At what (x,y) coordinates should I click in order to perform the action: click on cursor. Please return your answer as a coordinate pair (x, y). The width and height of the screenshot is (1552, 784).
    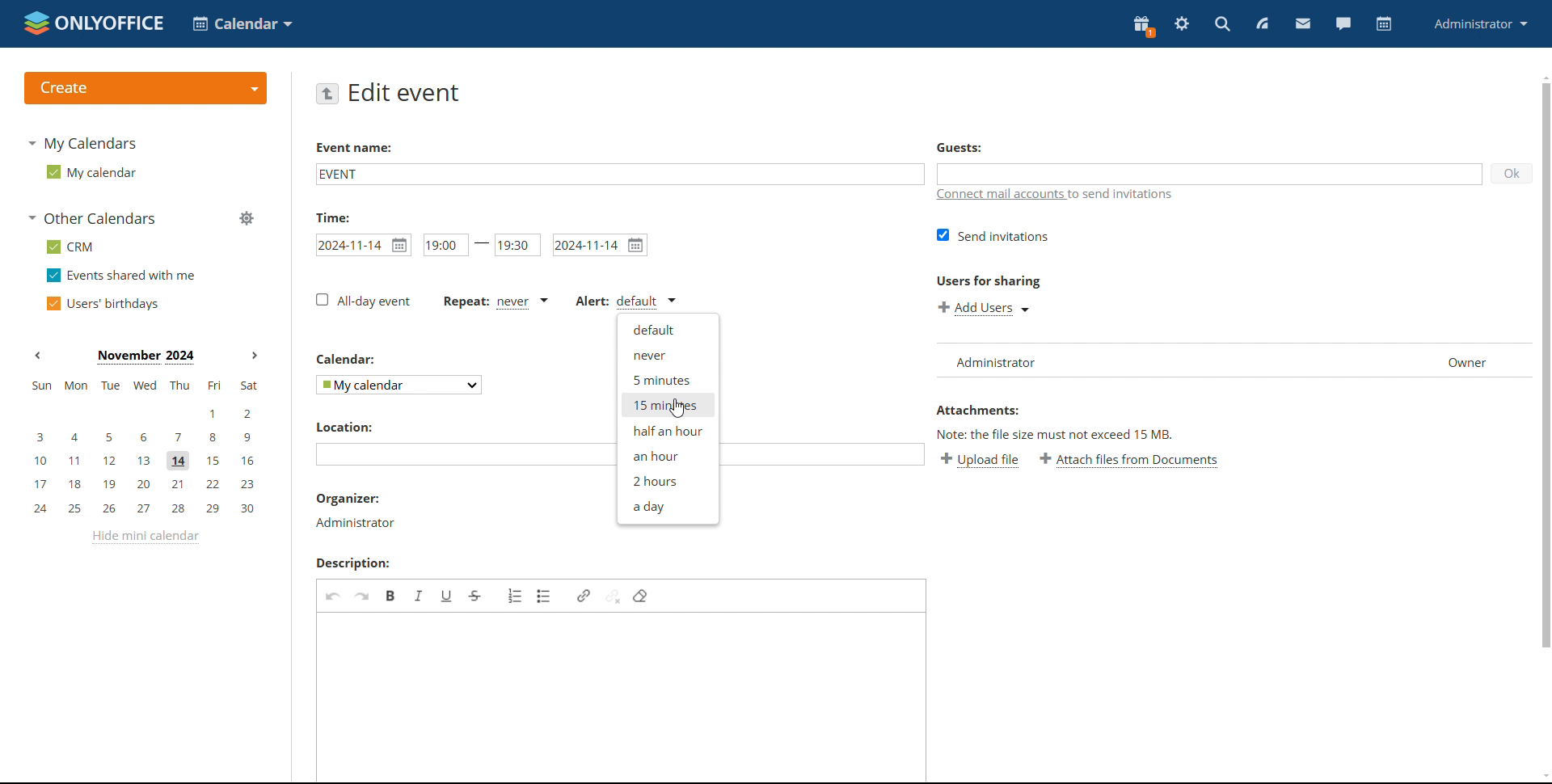
    Looking at the image, I should click on (677, 408).